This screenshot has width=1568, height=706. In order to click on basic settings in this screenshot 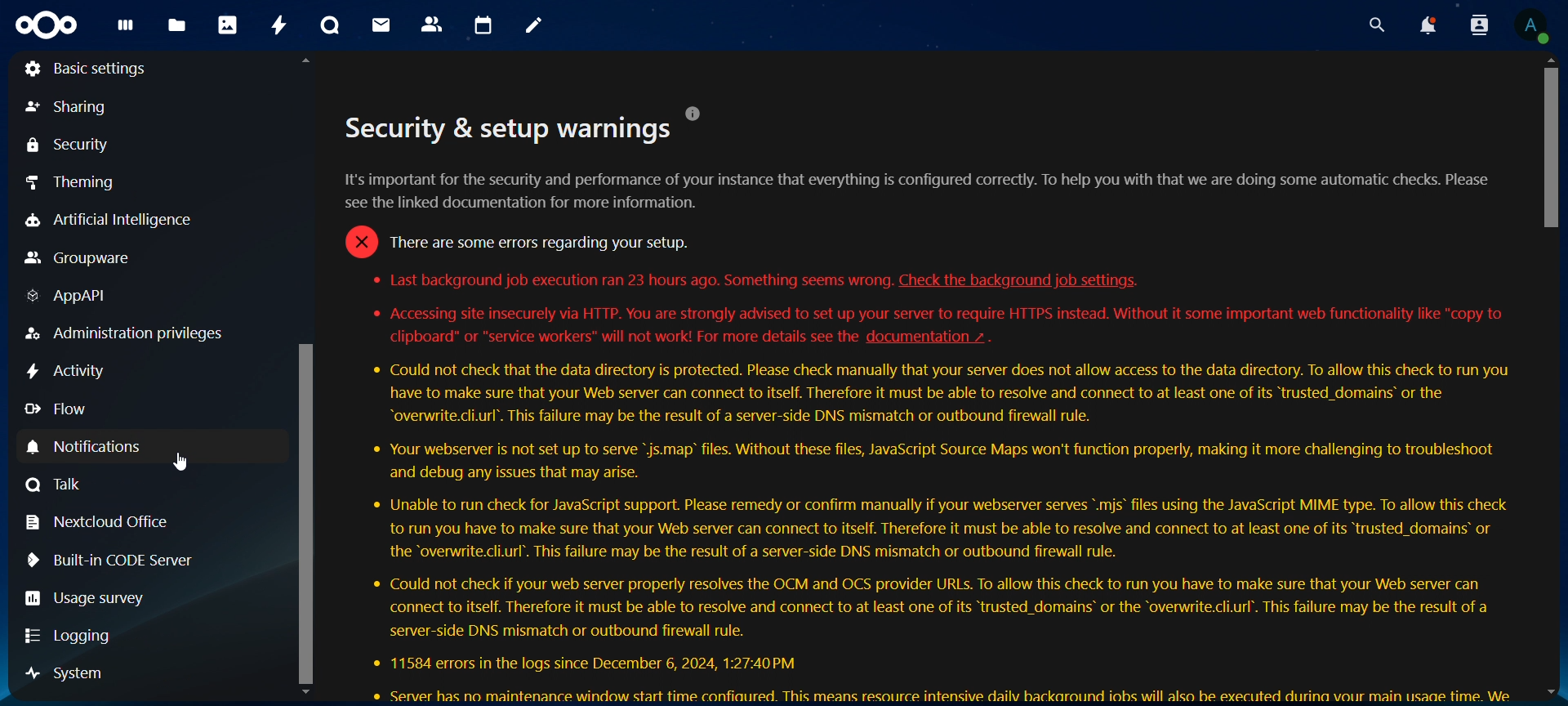, I will do `click(93, 69)`.